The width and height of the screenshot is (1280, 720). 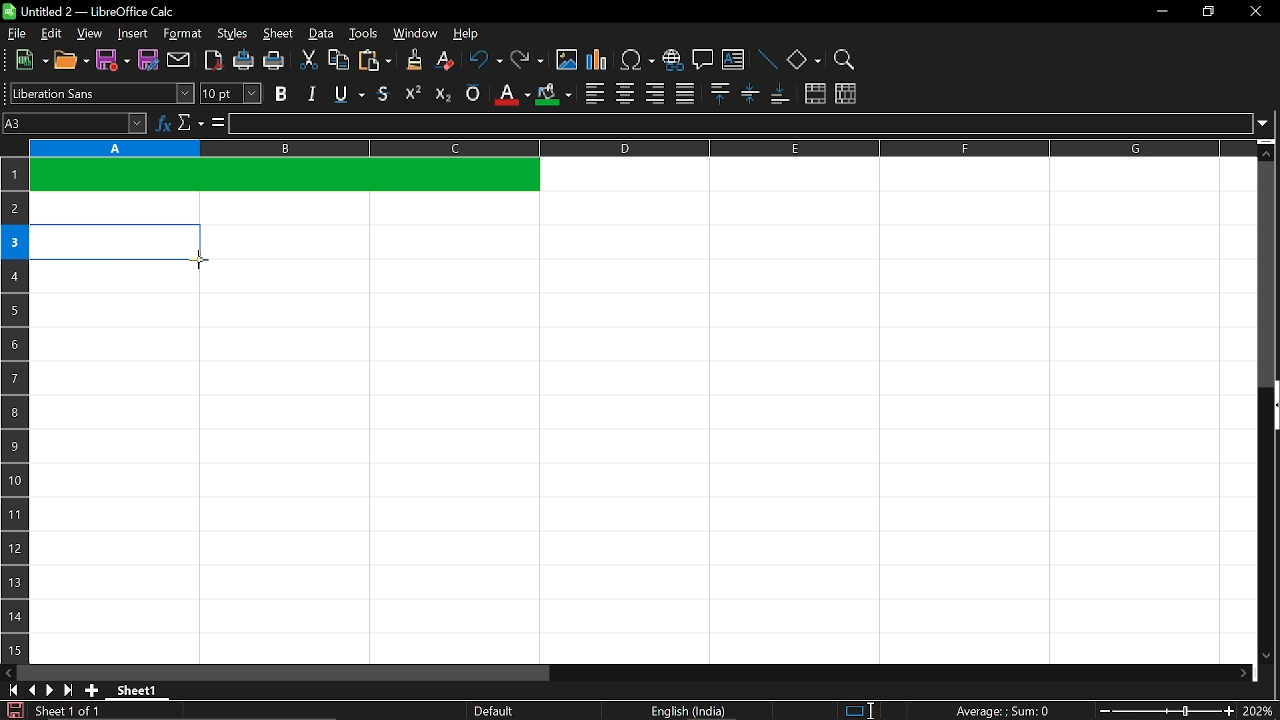 What do you see at coordinates (12, 387) in the screenshot?
I see `rows` at bounding box center [12, 387].